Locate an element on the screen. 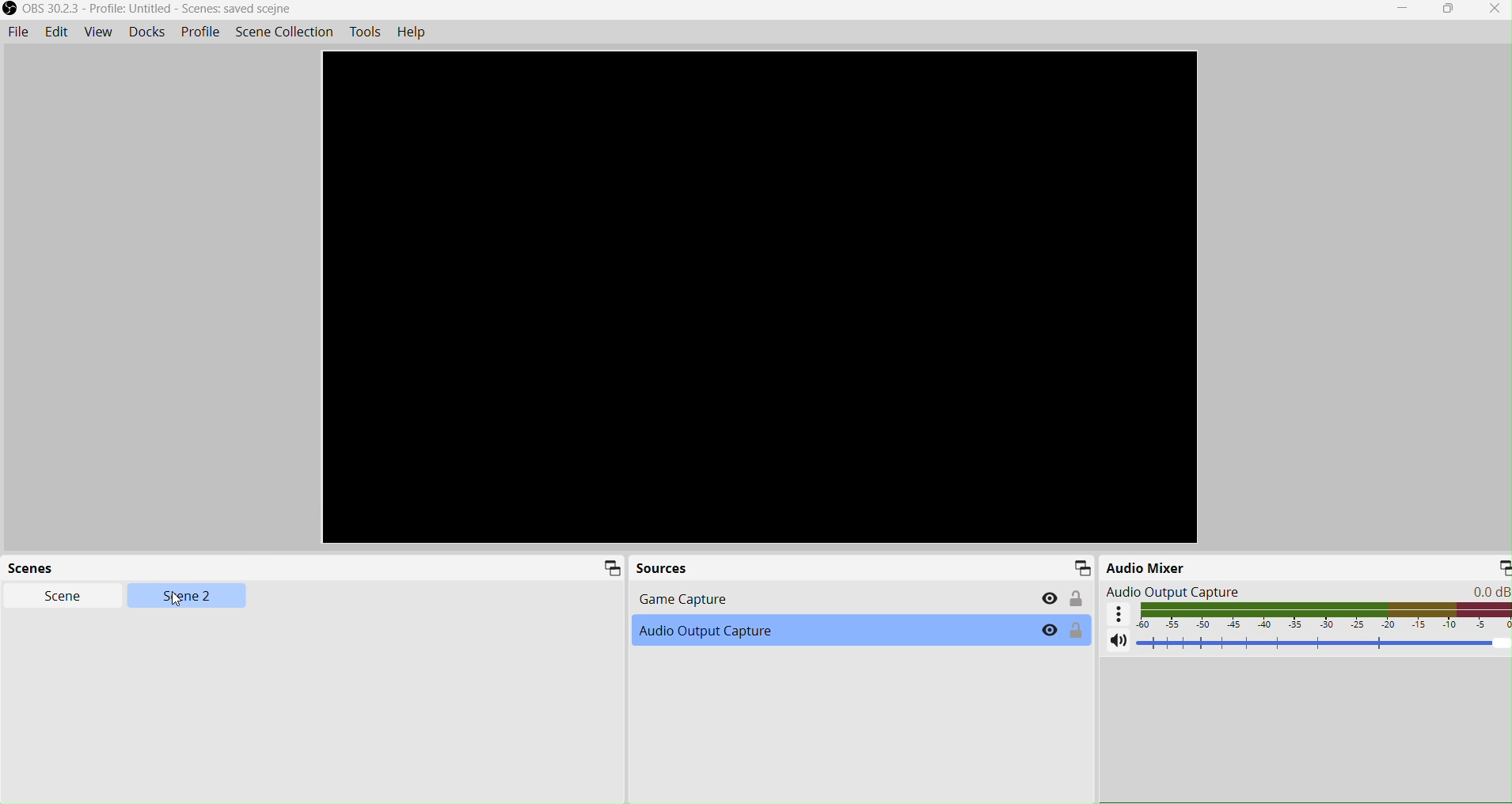 Image resolution: width=1512 pixels, height=804 pixels. Lock is located at coordinates (1077, 633).